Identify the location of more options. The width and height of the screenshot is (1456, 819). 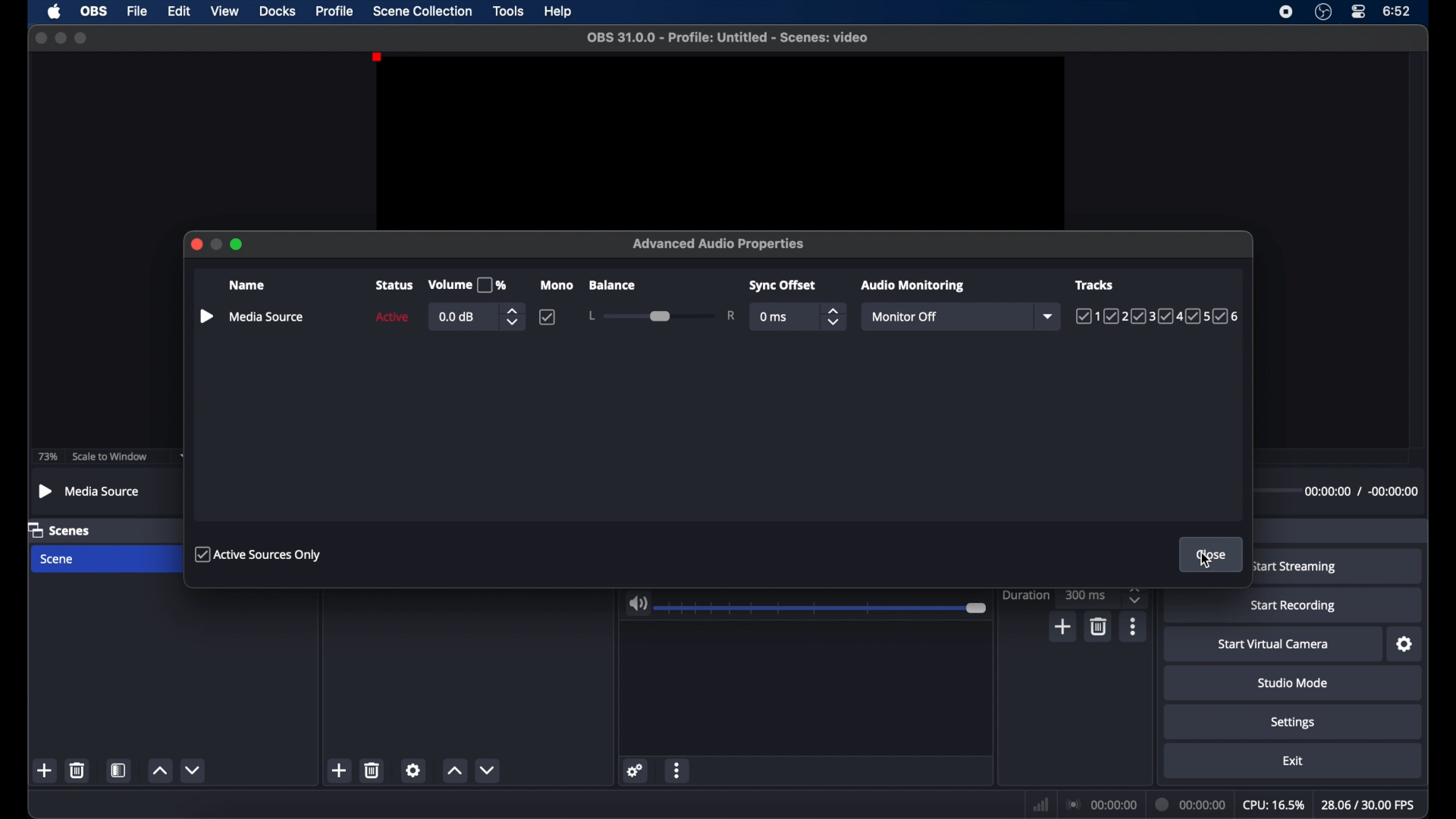
(678, 769).